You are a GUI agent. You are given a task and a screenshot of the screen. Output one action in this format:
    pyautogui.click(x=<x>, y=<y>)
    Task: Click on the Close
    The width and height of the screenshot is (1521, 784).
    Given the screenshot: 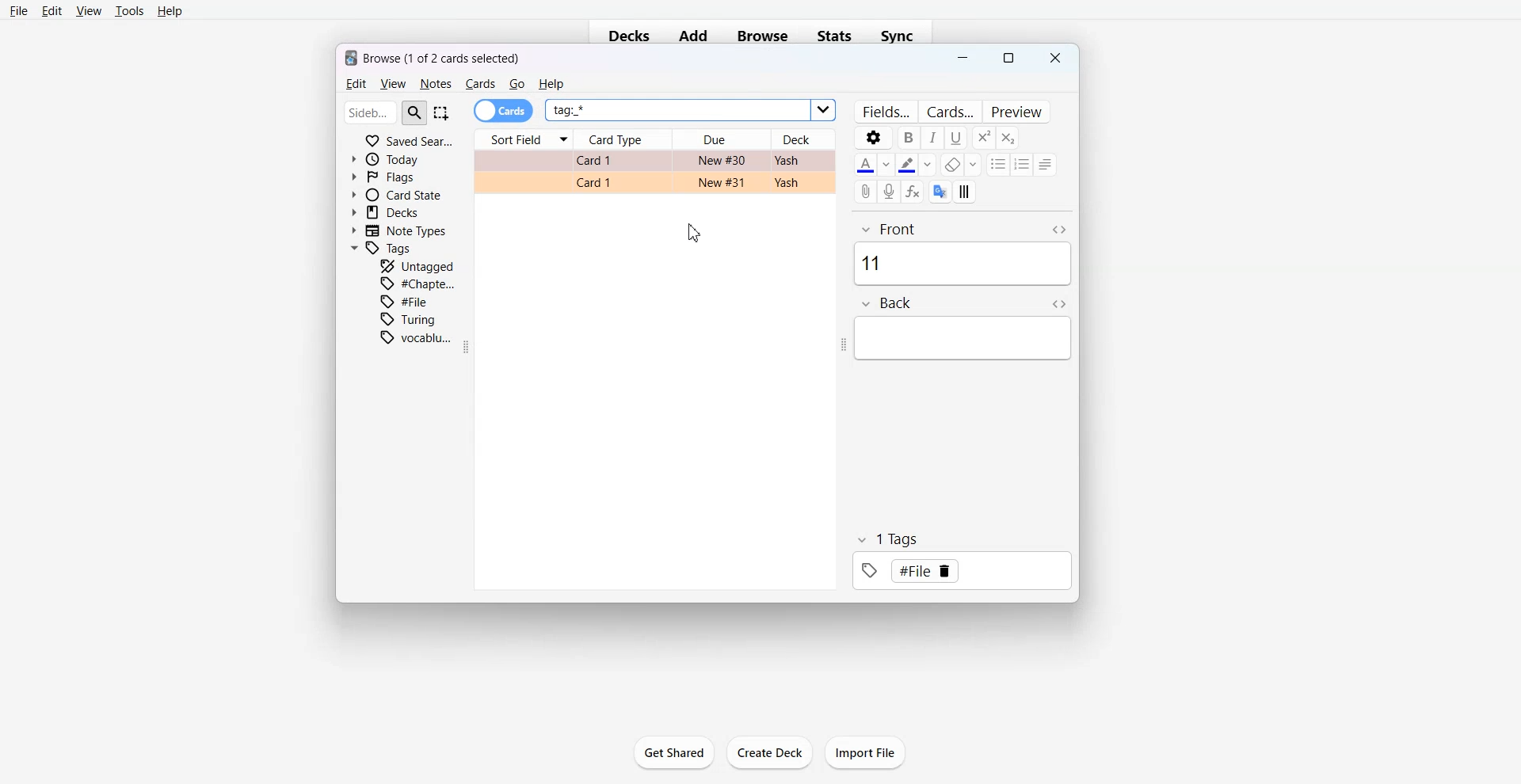 What is the action you would take?
    pyautogui.click(x=1054, y=58)
    